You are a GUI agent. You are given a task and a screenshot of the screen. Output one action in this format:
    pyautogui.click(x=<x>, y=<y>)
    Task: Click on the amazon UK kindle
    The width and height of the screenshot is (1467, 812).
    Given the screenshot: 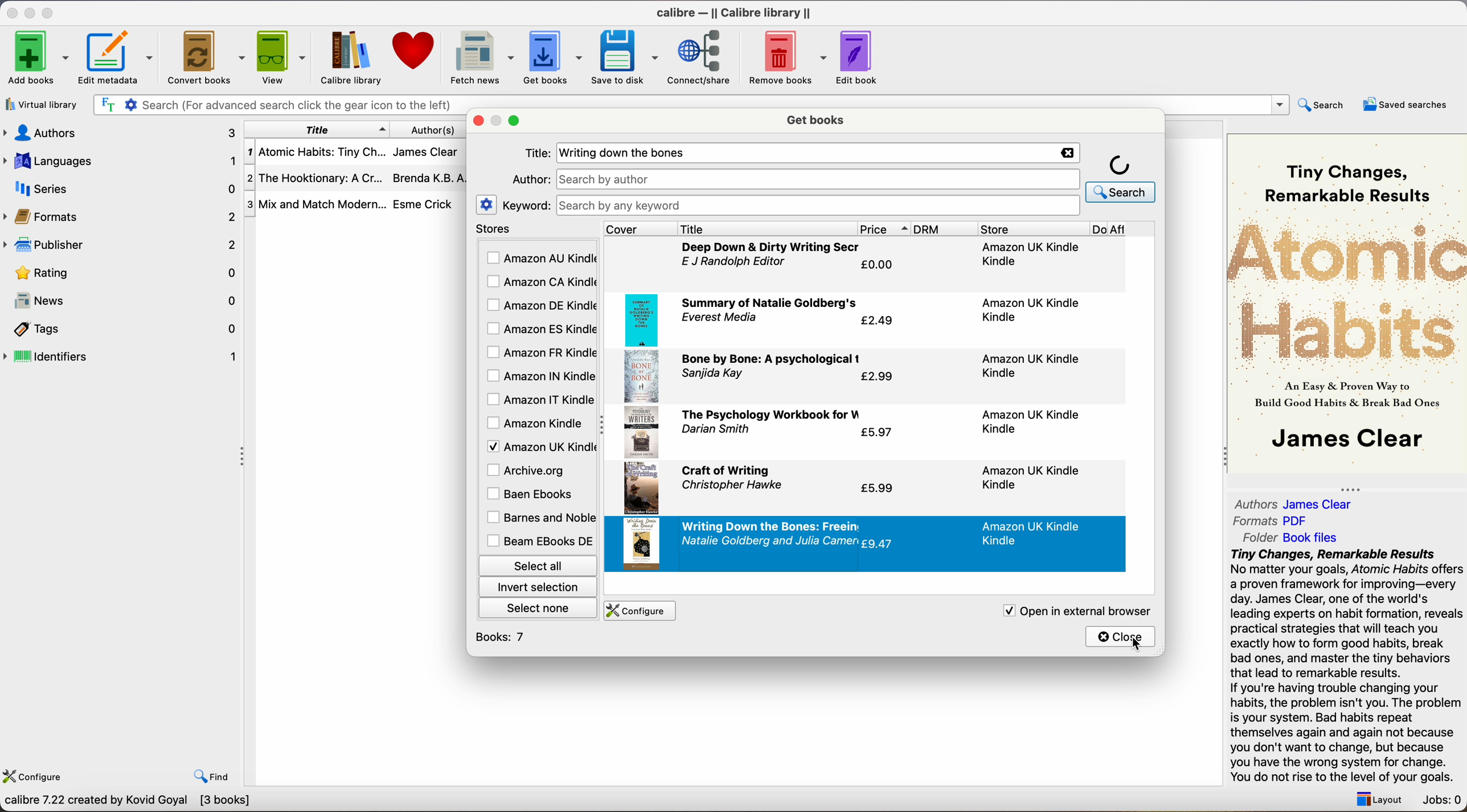 What is the action you would take?
    pyautogui.click(x=1034, y=533)
    